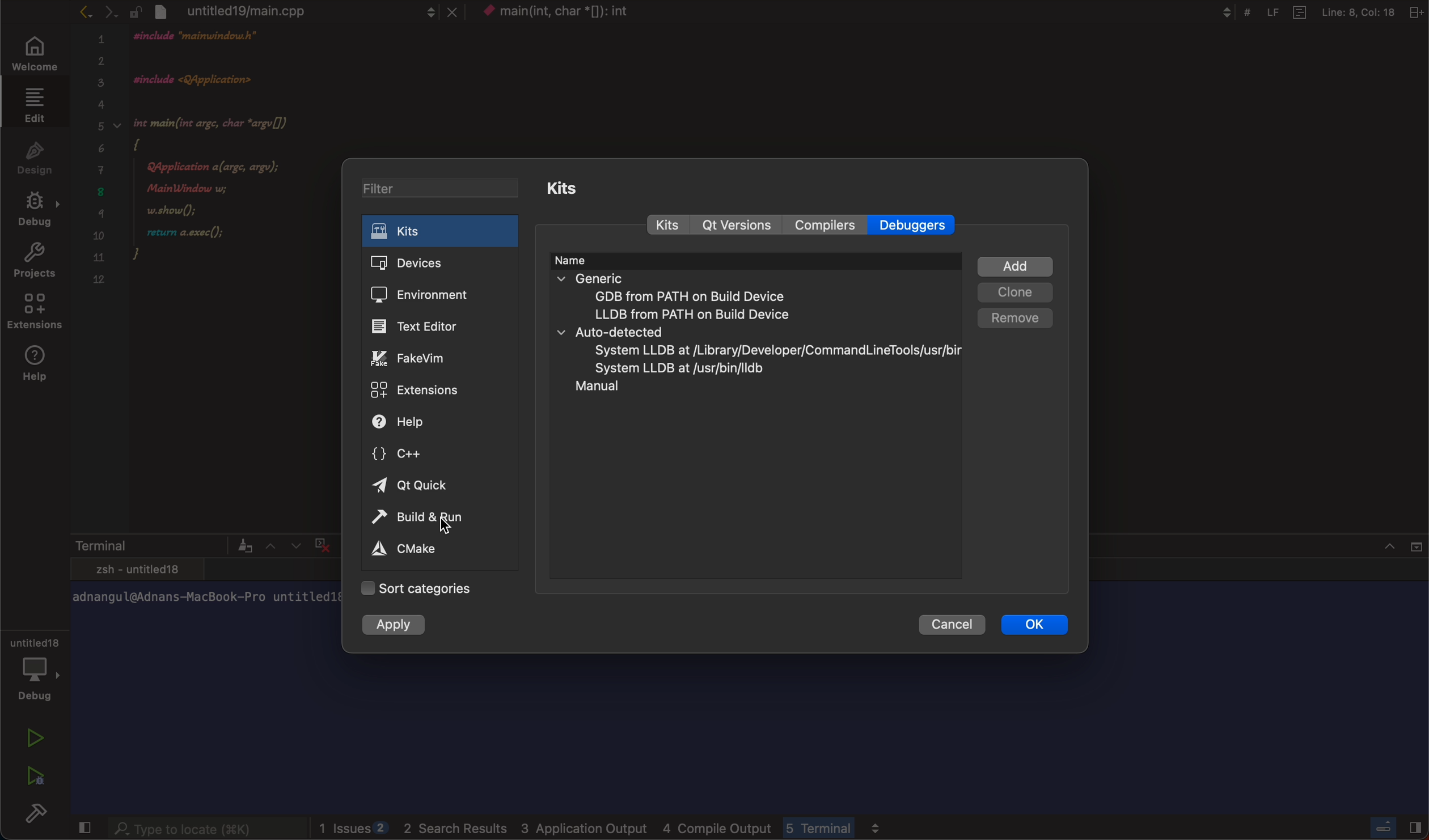 The image size is (1429, 840). I want to click on kits, so click(439, 230).